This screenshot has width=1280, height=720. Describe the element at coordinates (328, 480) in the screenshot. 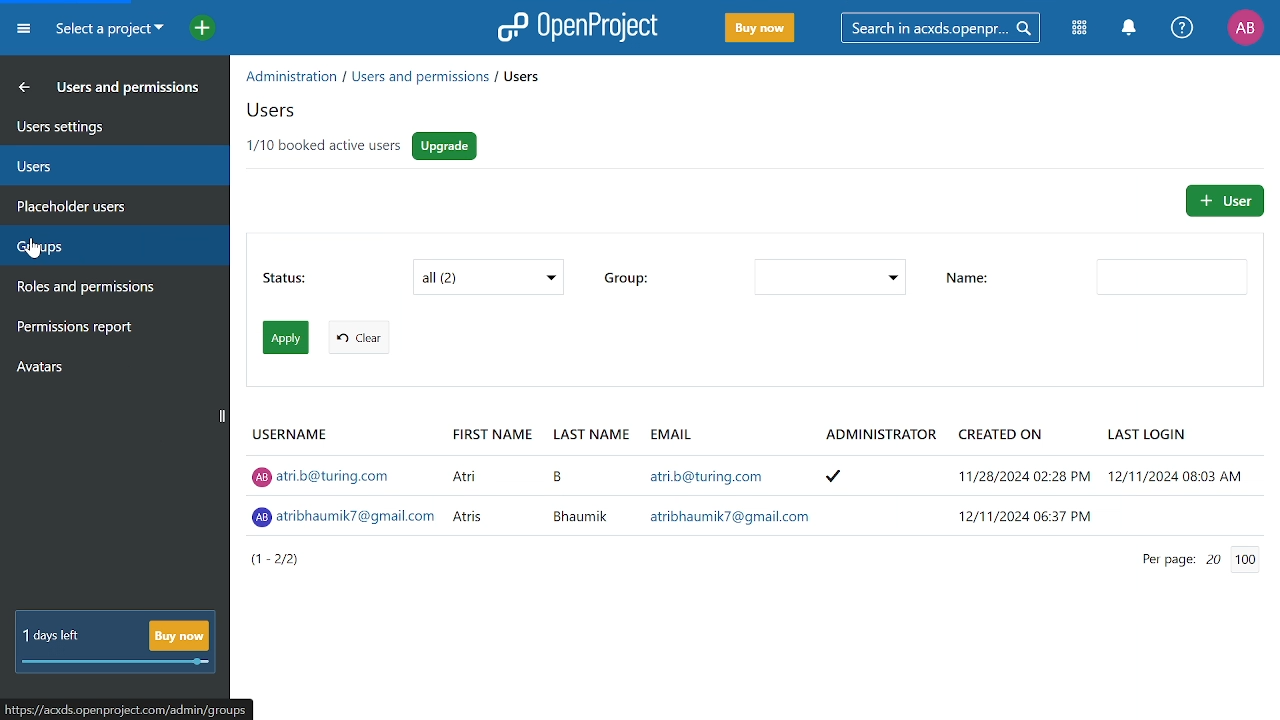

I see `Admin` at that location.